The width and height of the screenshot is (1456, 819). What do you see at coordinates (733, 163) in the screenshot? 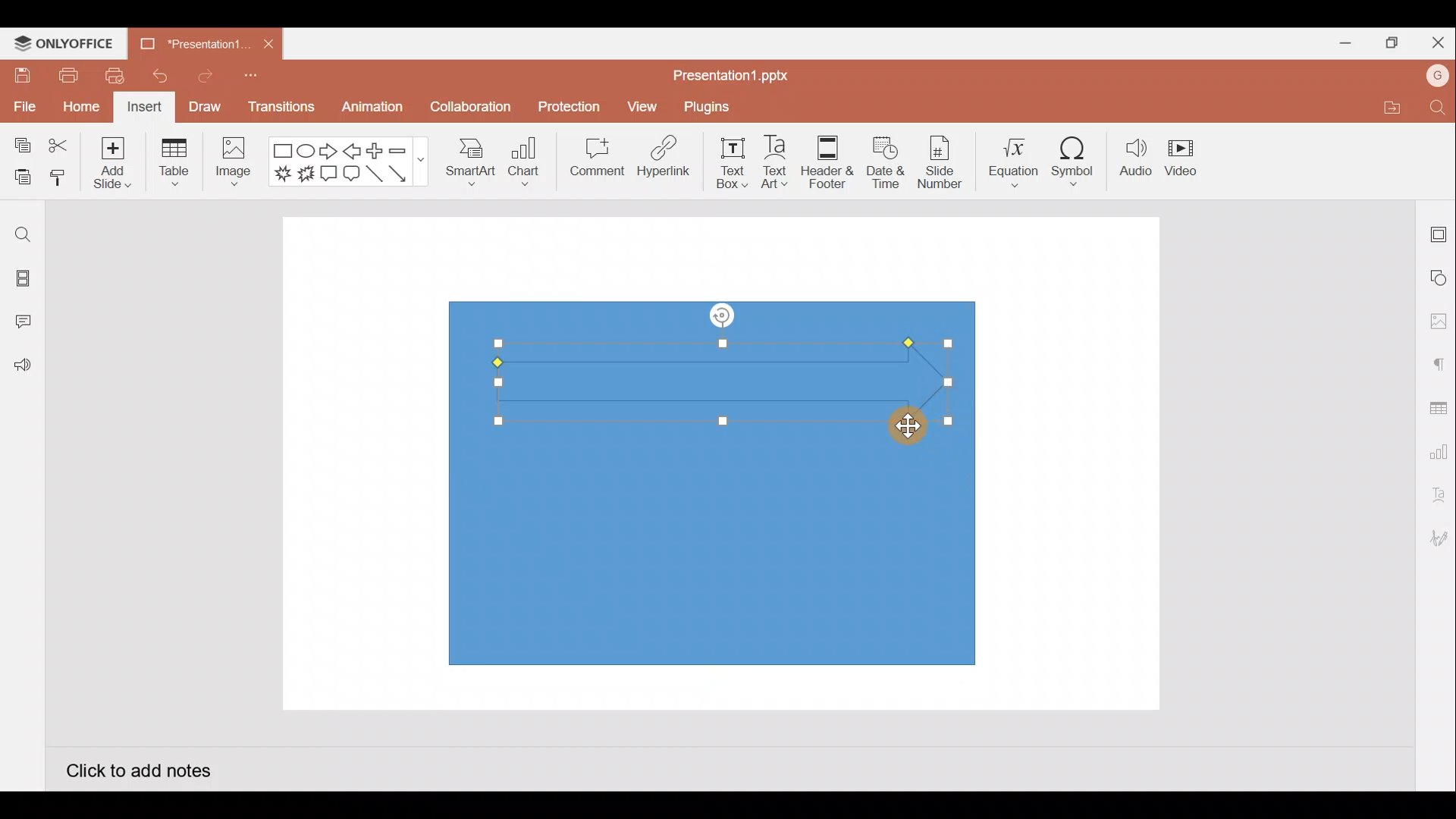
I see `Text box` at bounding box center [733, 163].